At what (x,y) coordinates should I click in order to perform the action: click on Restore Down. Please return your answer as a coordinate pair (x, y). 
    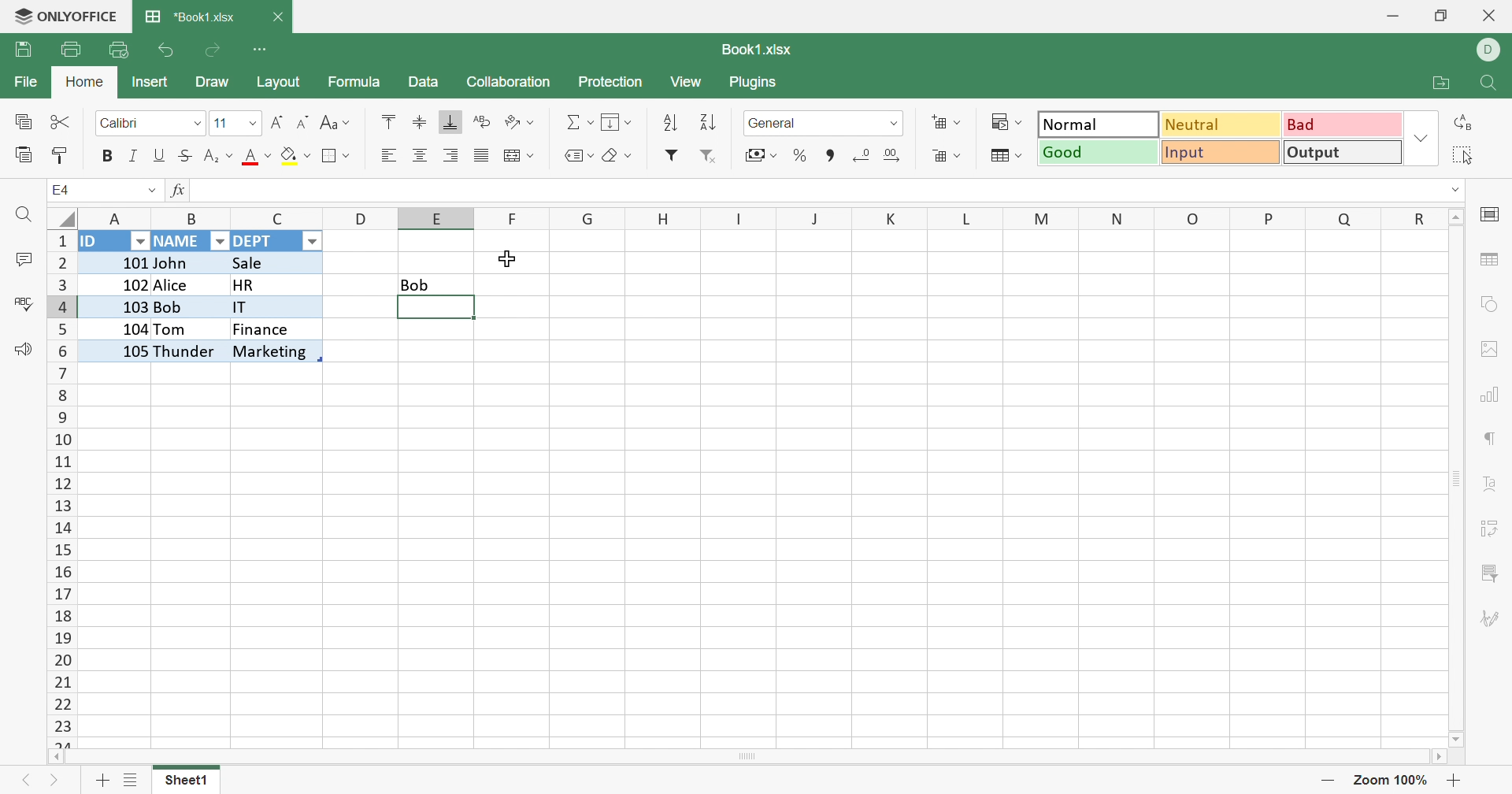
    Looking at the image, I should click on (1440, 17).